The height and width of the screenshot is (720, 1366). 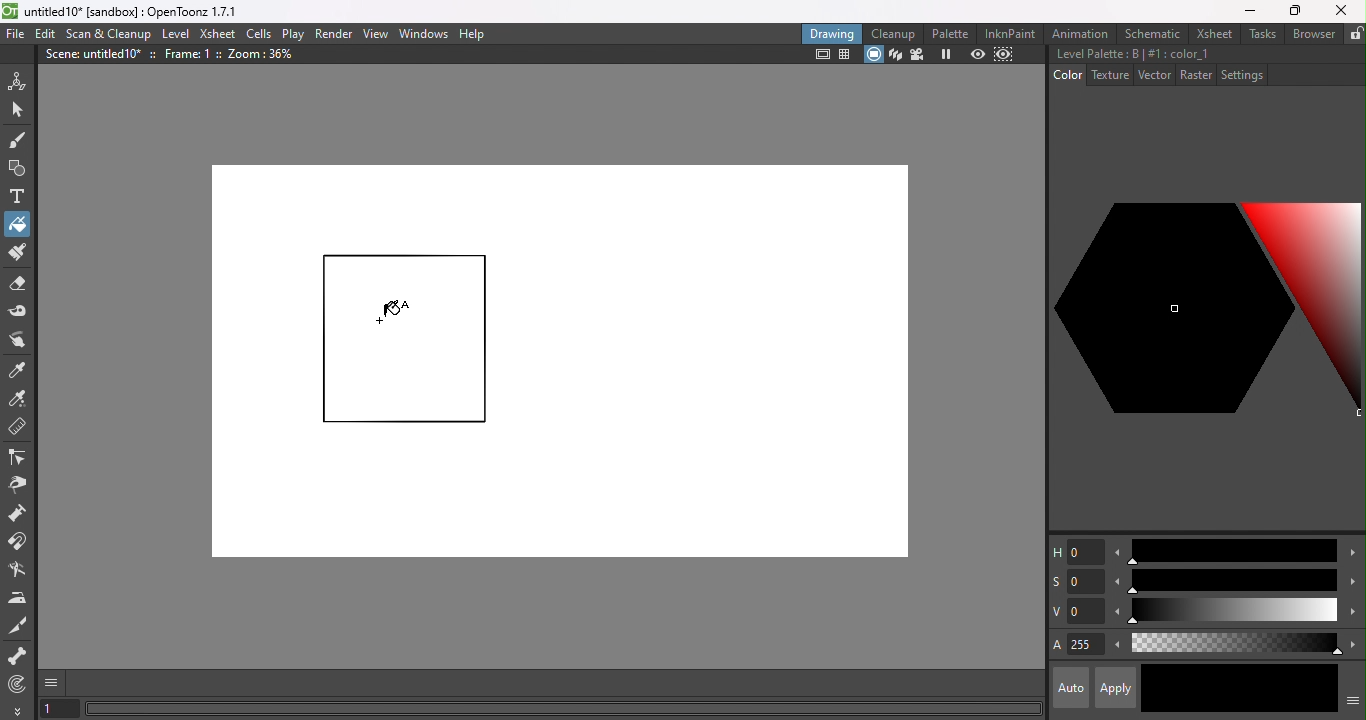 I want to click on Texture, so click(x=1108, y=75).